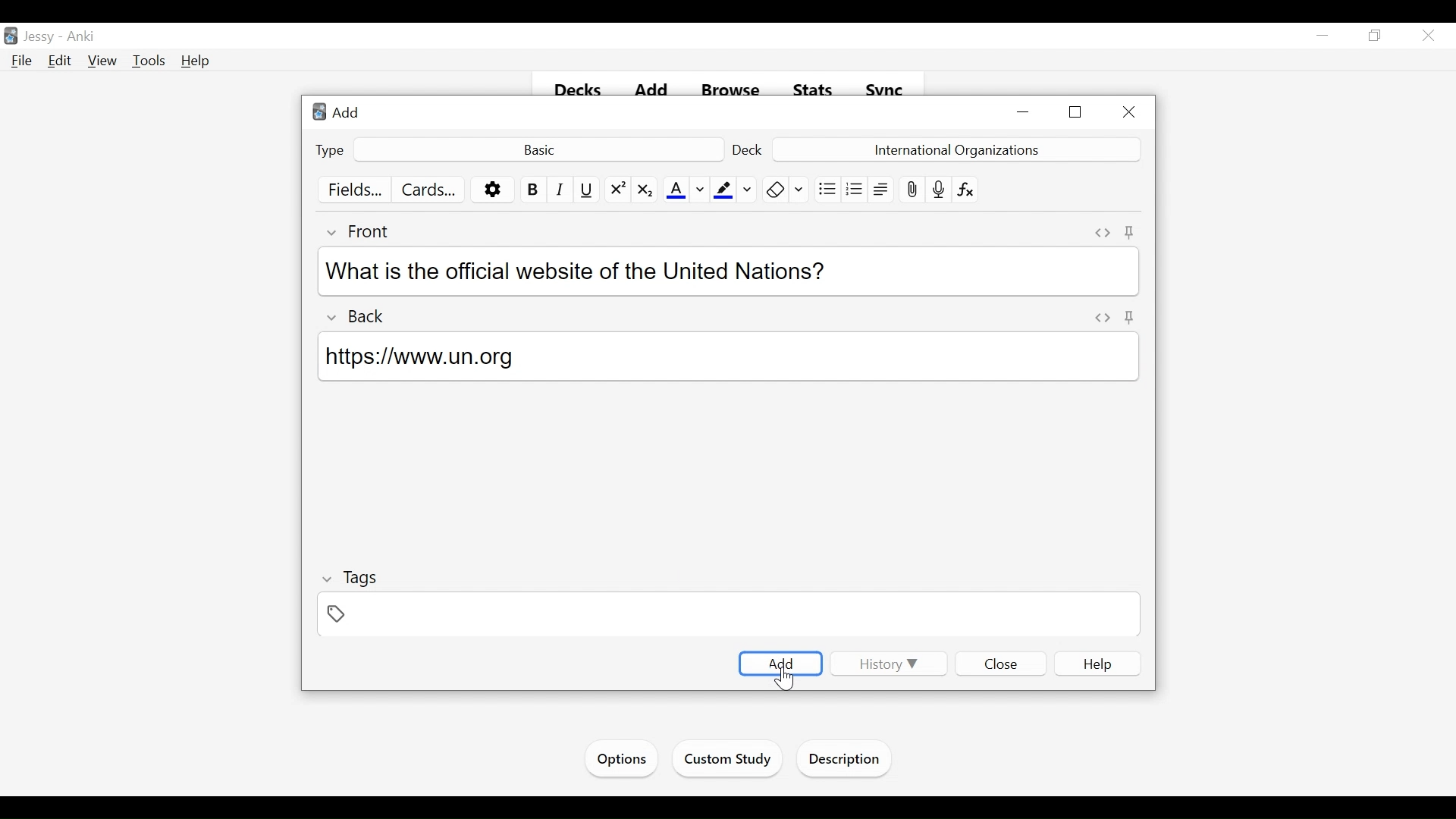 The height and width of the screenshot is (819, 1456). What do you see at coordinates (1025, 113) in the screenshot?
I see `minimize` at bounding box center [1025, 113].